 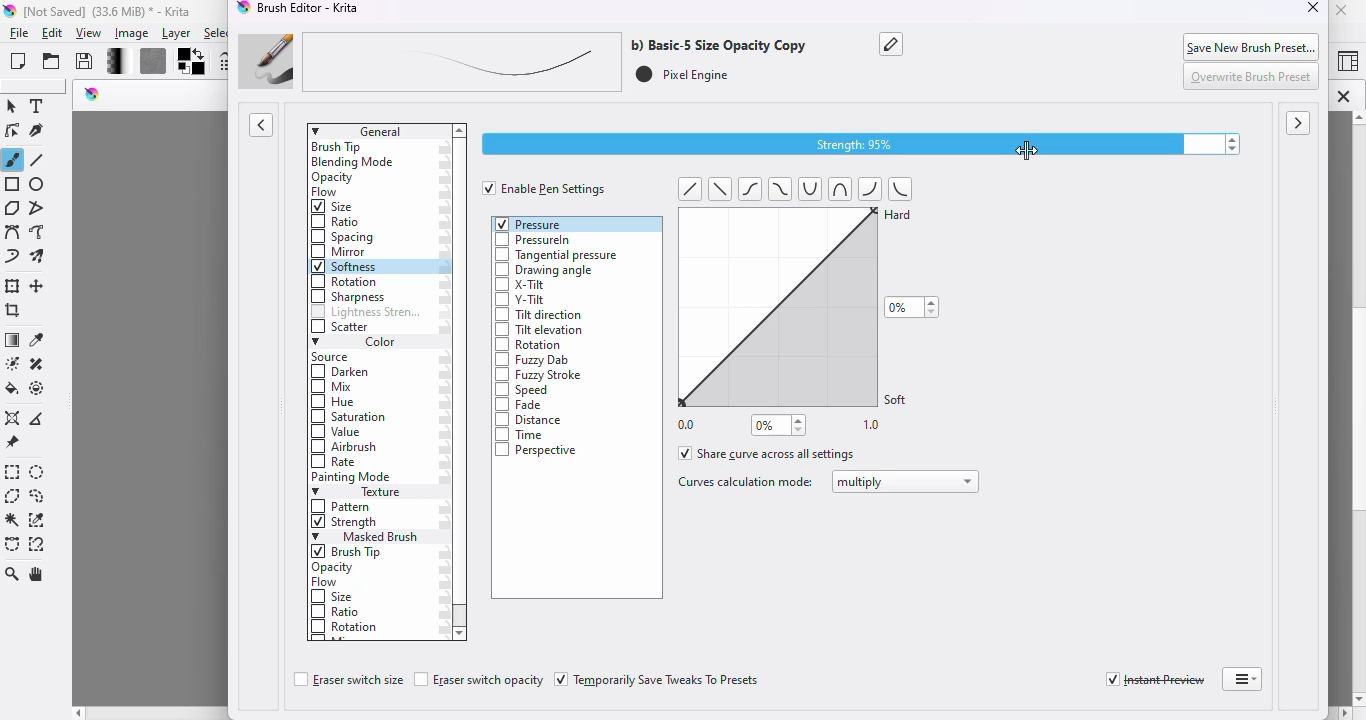 I want to click on logo, so click(x=93, y=94).